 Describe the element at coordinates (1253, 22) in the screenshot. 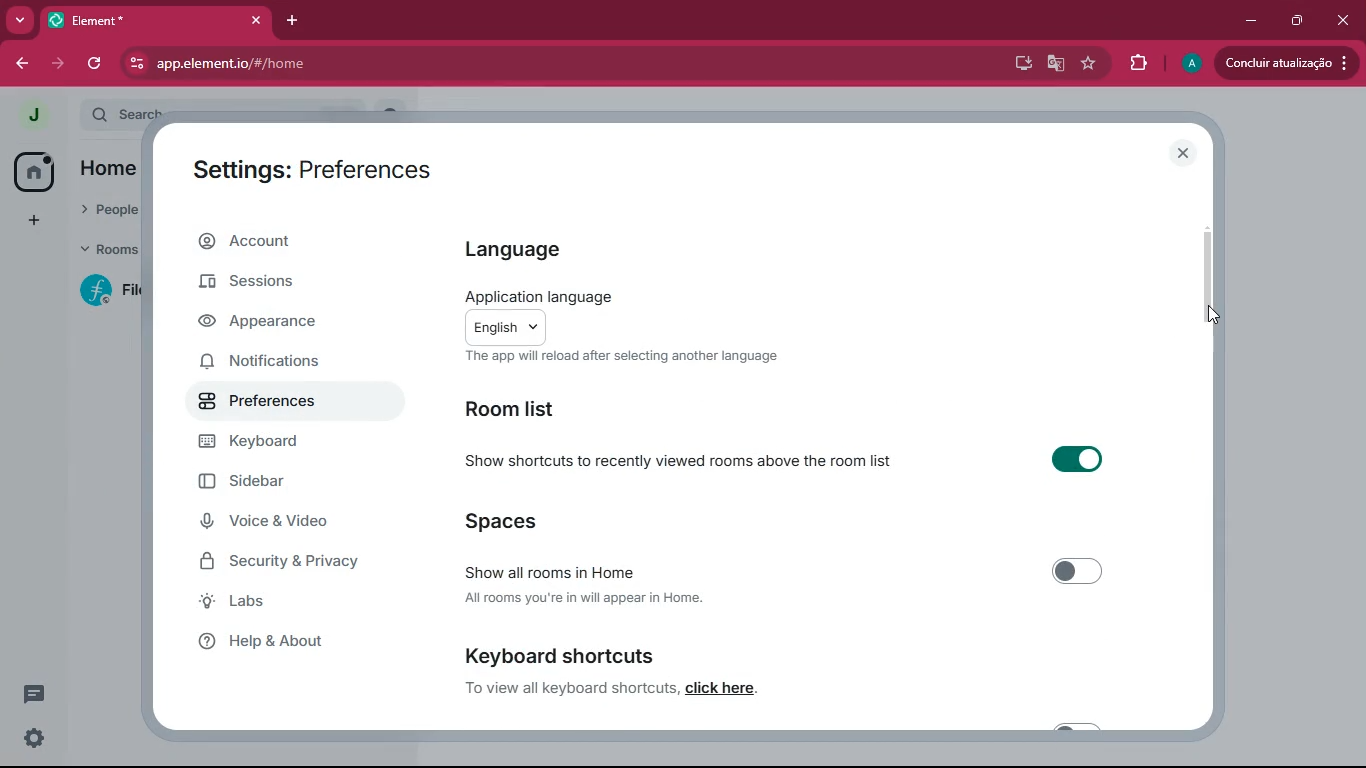

I see `minimize` at that location.